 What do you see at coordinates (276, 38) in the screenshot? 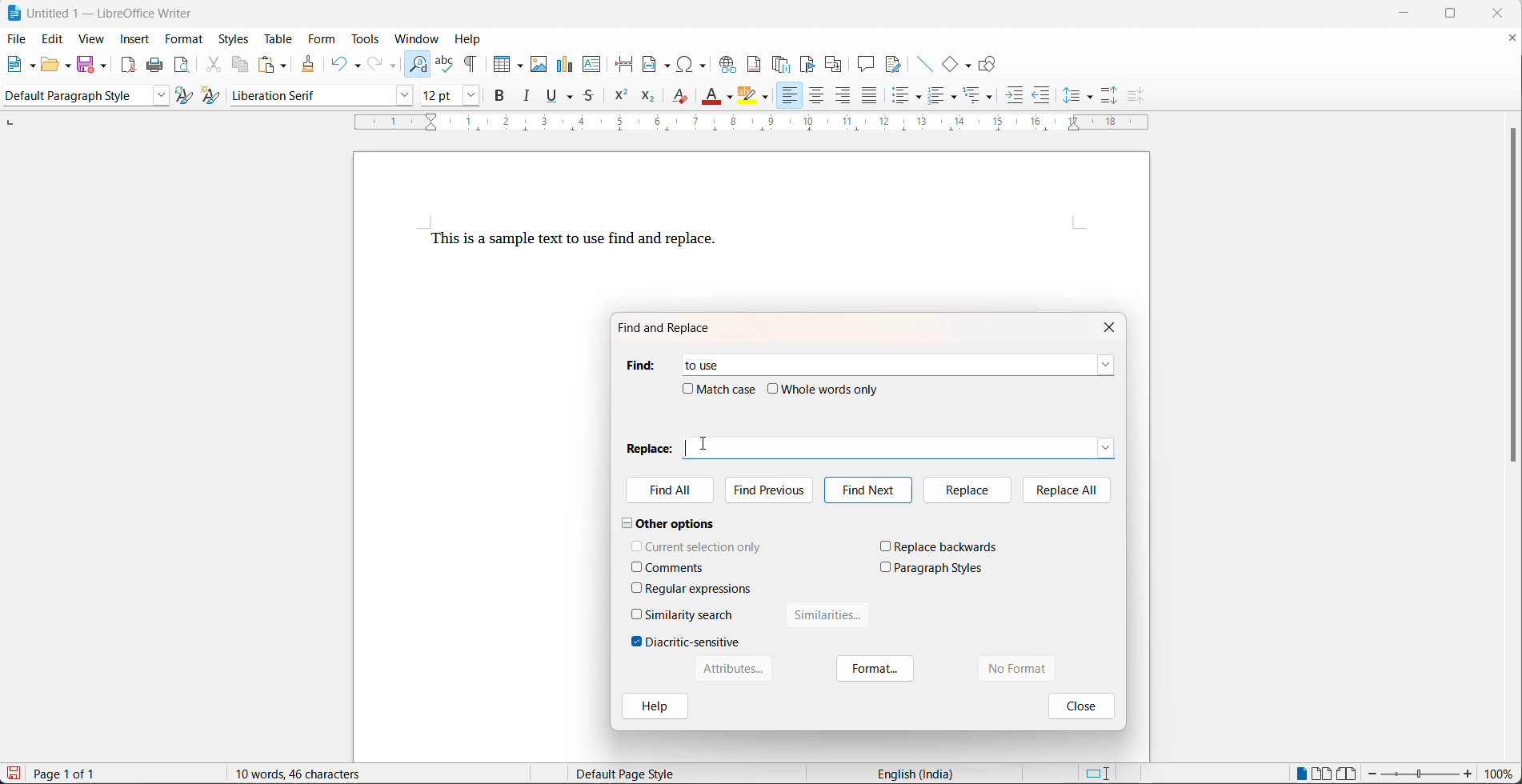
I see `table` at bounding box center [276, 38].